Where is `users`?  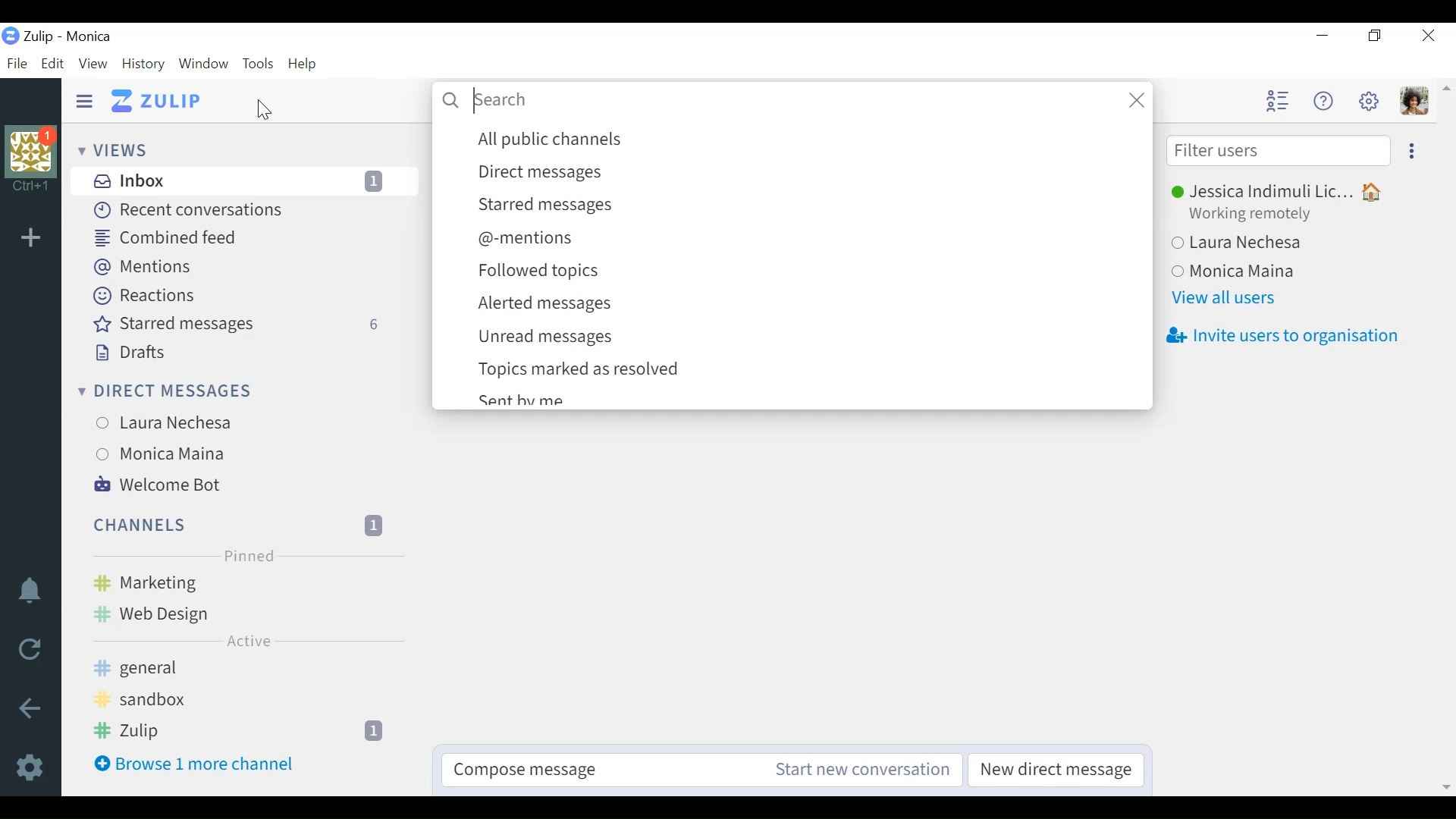 users is located at coordinates (173, 453).